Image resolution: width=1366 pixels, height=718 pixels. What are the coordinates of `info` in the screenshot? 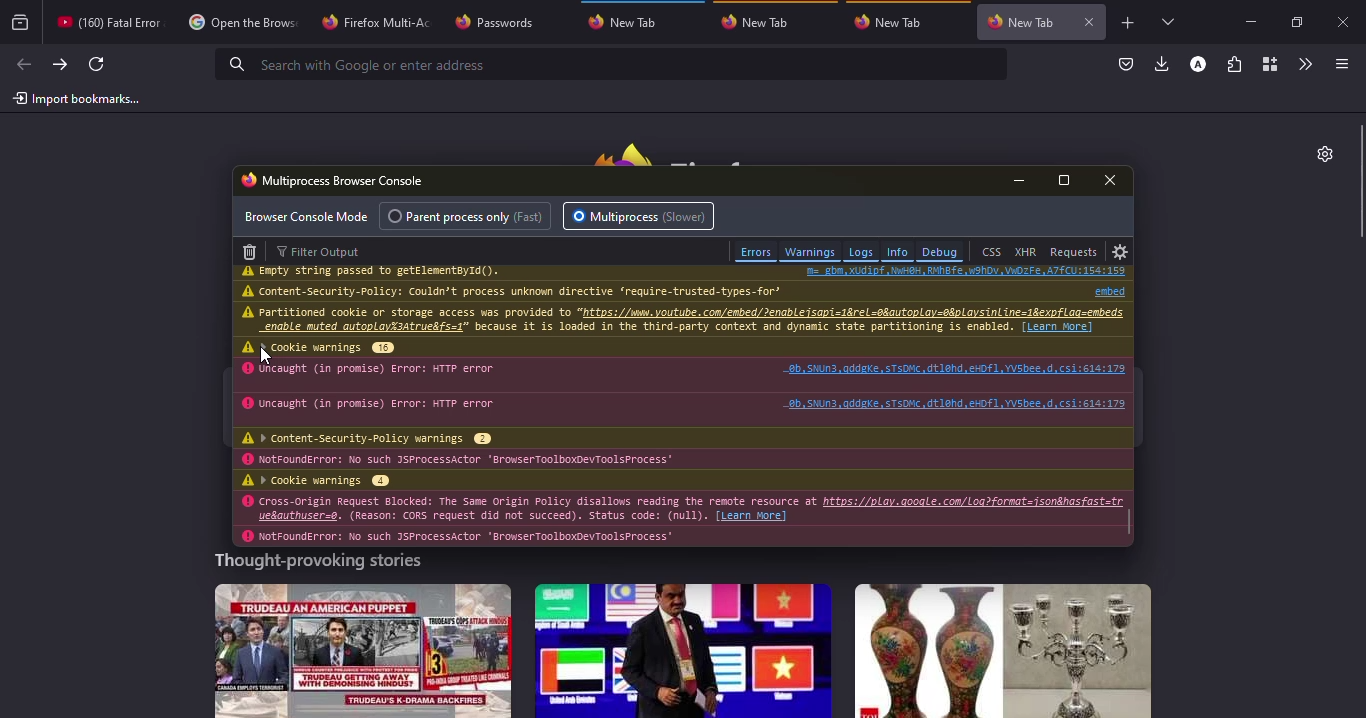 It's located at (467, 537).